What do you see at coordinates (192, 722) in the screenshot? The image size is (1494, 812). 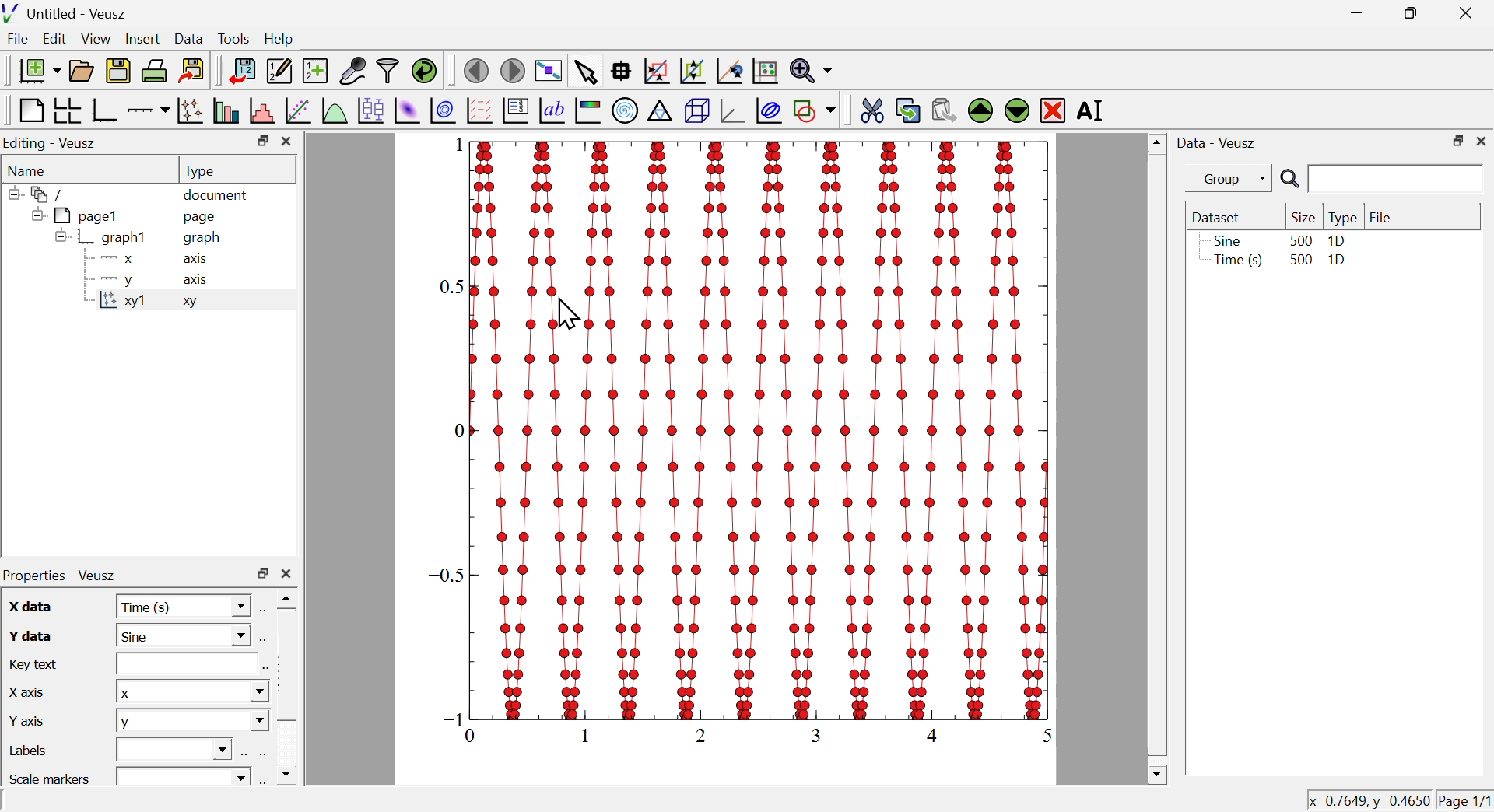 I see `y` at bounding box center [192, 722].